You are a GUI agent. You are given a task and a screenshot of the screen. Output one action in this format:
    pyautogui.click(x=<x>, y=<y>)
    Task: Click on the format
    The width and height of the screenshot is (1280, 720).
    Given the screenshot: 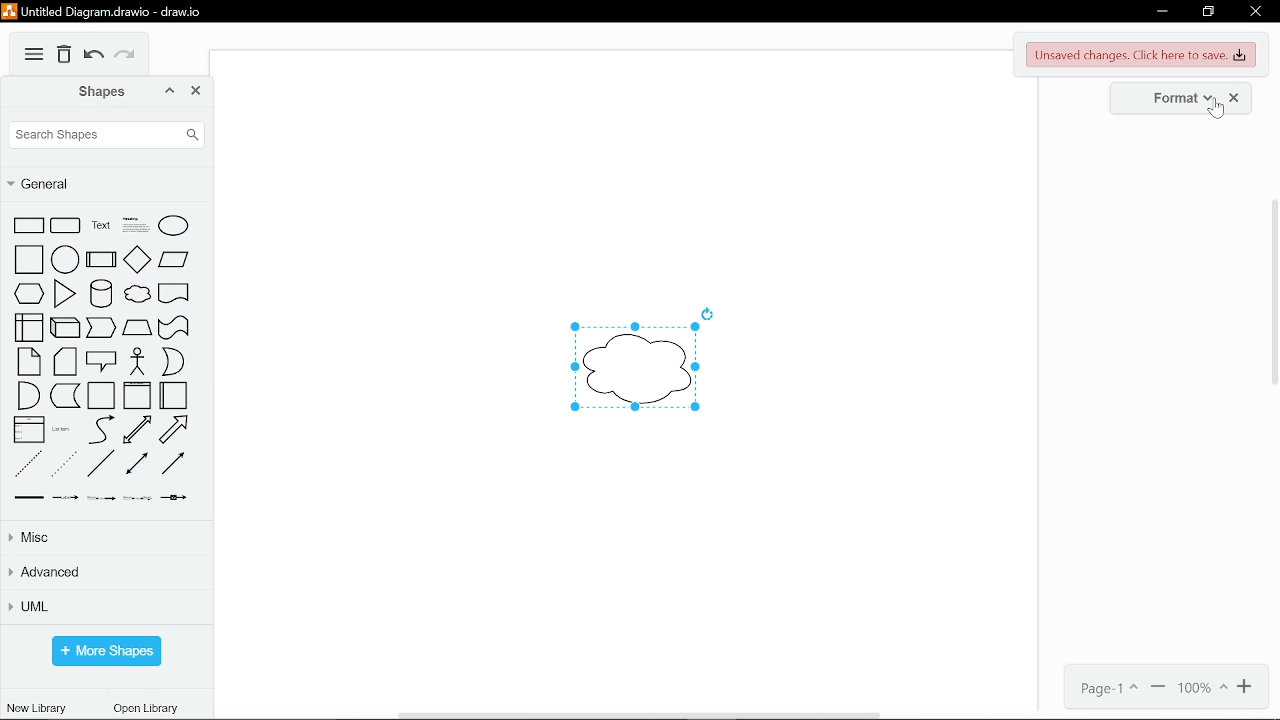 What is the action you would take?
    pyautogui.click(x=1170, y=97)
    